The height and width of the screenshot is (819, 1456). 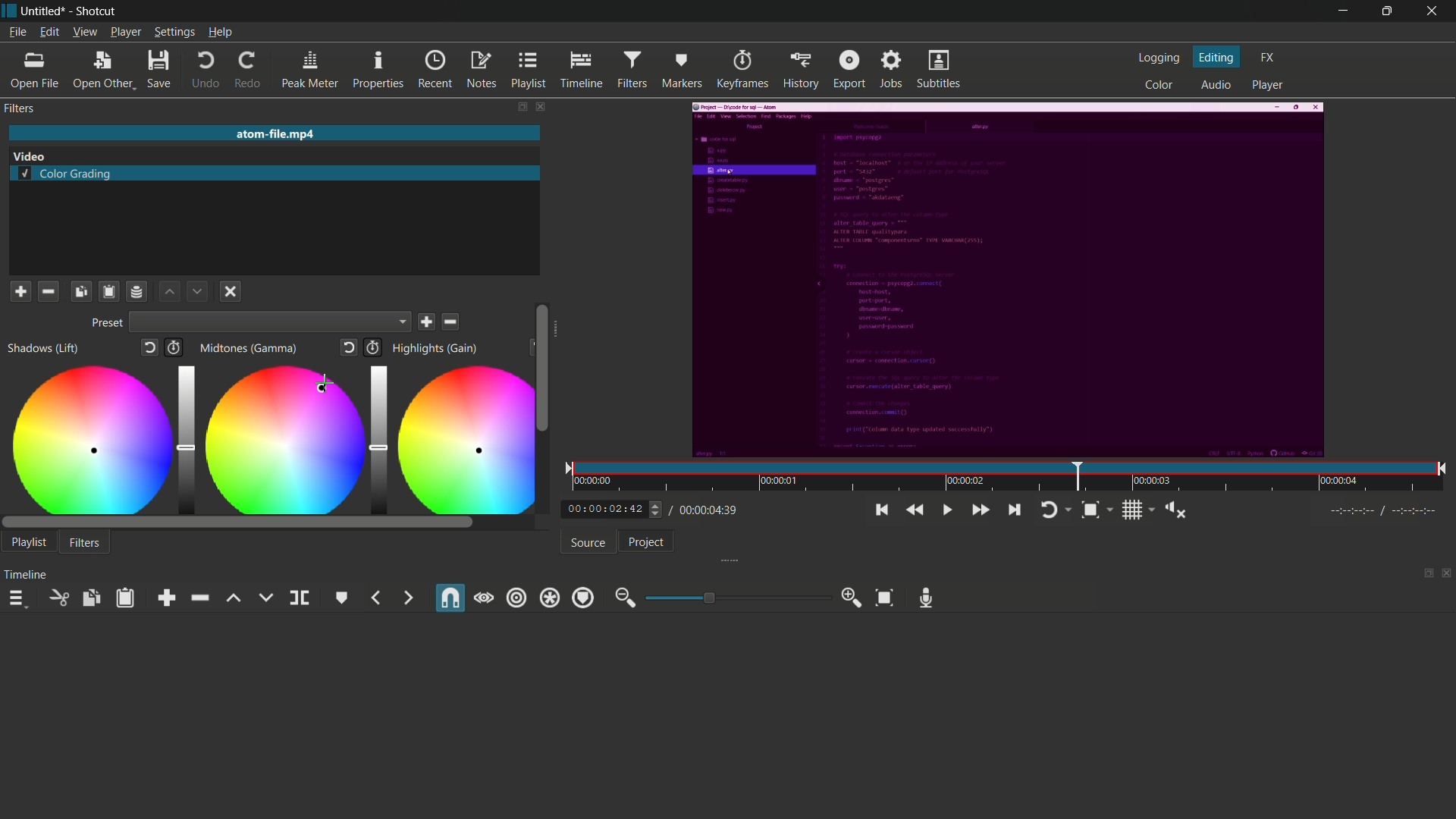 I want to click on scrub while dragging, so click(x=484, y=598).